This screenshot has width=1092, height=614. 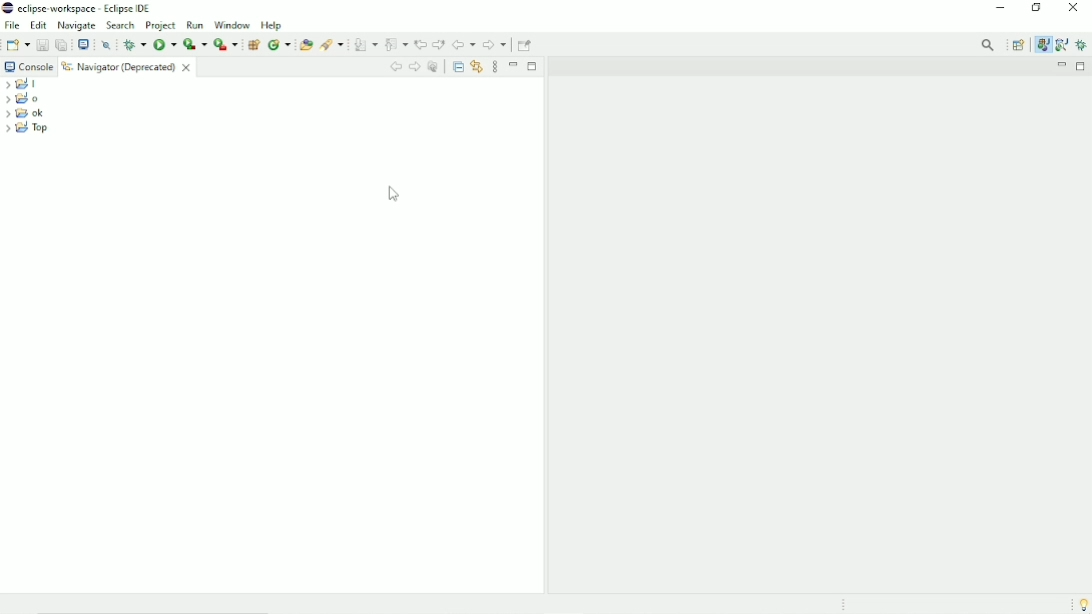 What do you see at coordinates (1074, 11) in the screenshot?
I see `Close` at bounding box center [1074, 11].